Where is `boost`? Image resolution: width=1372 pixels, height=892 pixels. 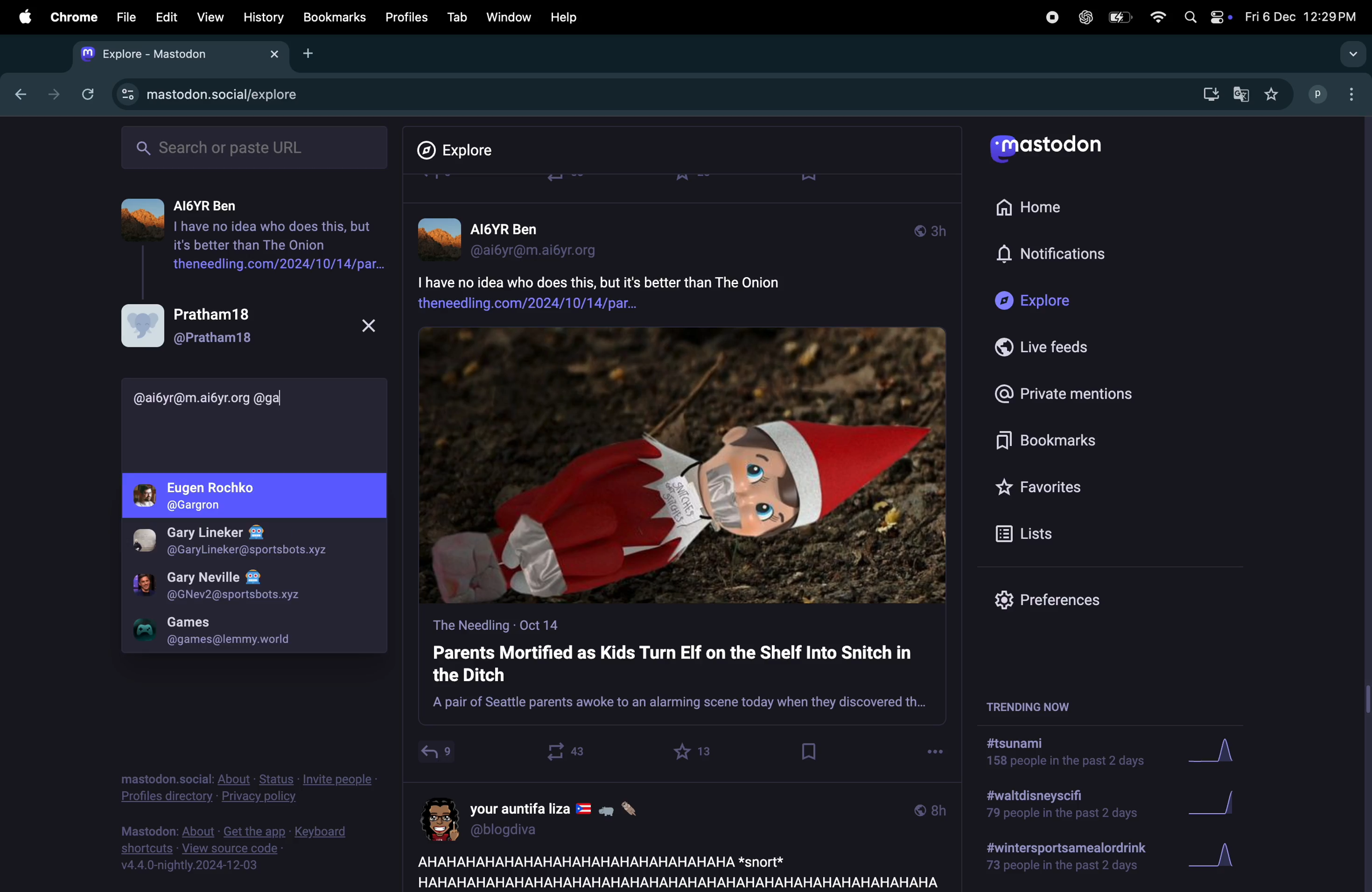 boost is located at coordinates (560, 751).